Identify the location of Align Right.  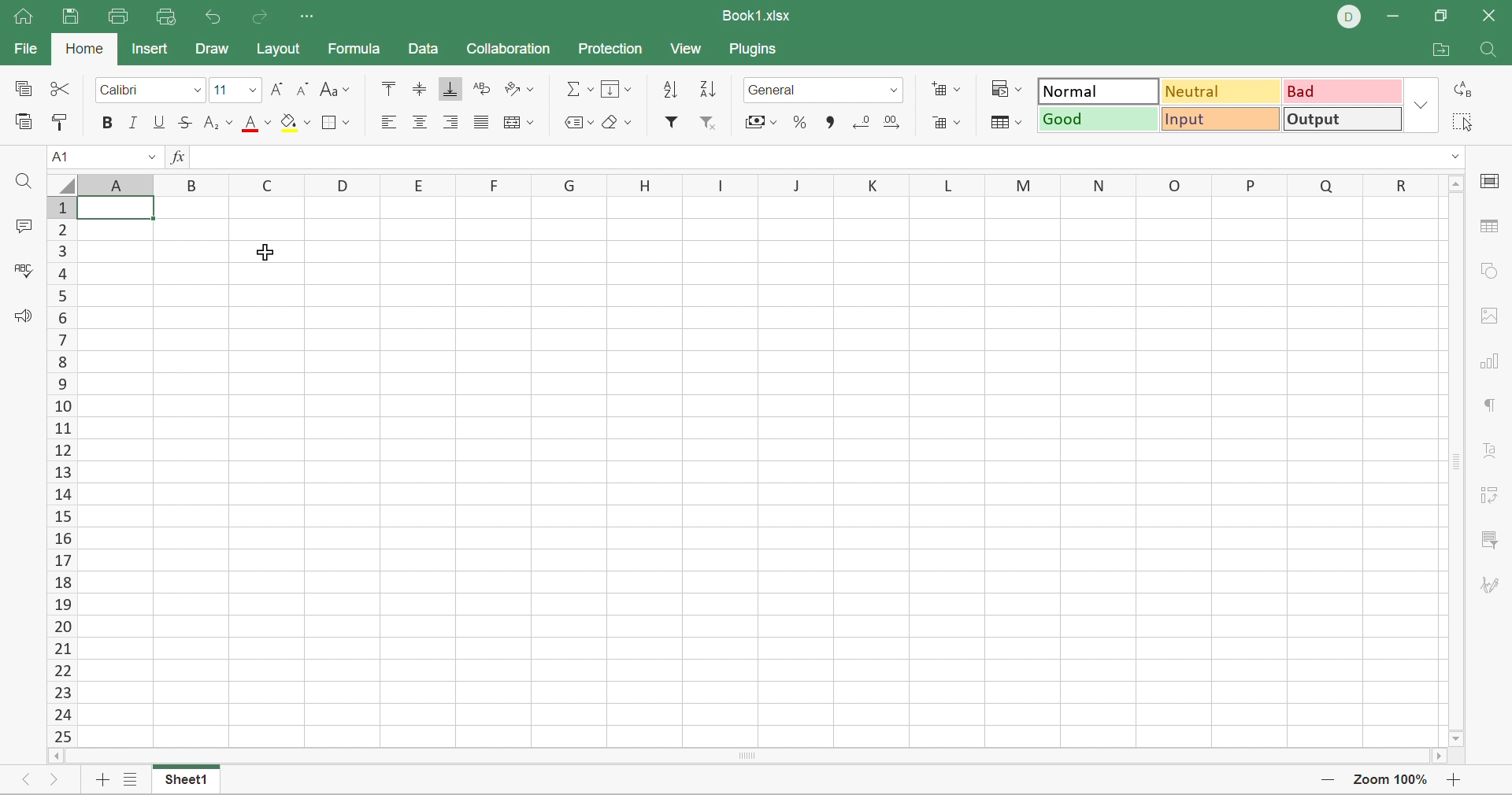
(454, 121).